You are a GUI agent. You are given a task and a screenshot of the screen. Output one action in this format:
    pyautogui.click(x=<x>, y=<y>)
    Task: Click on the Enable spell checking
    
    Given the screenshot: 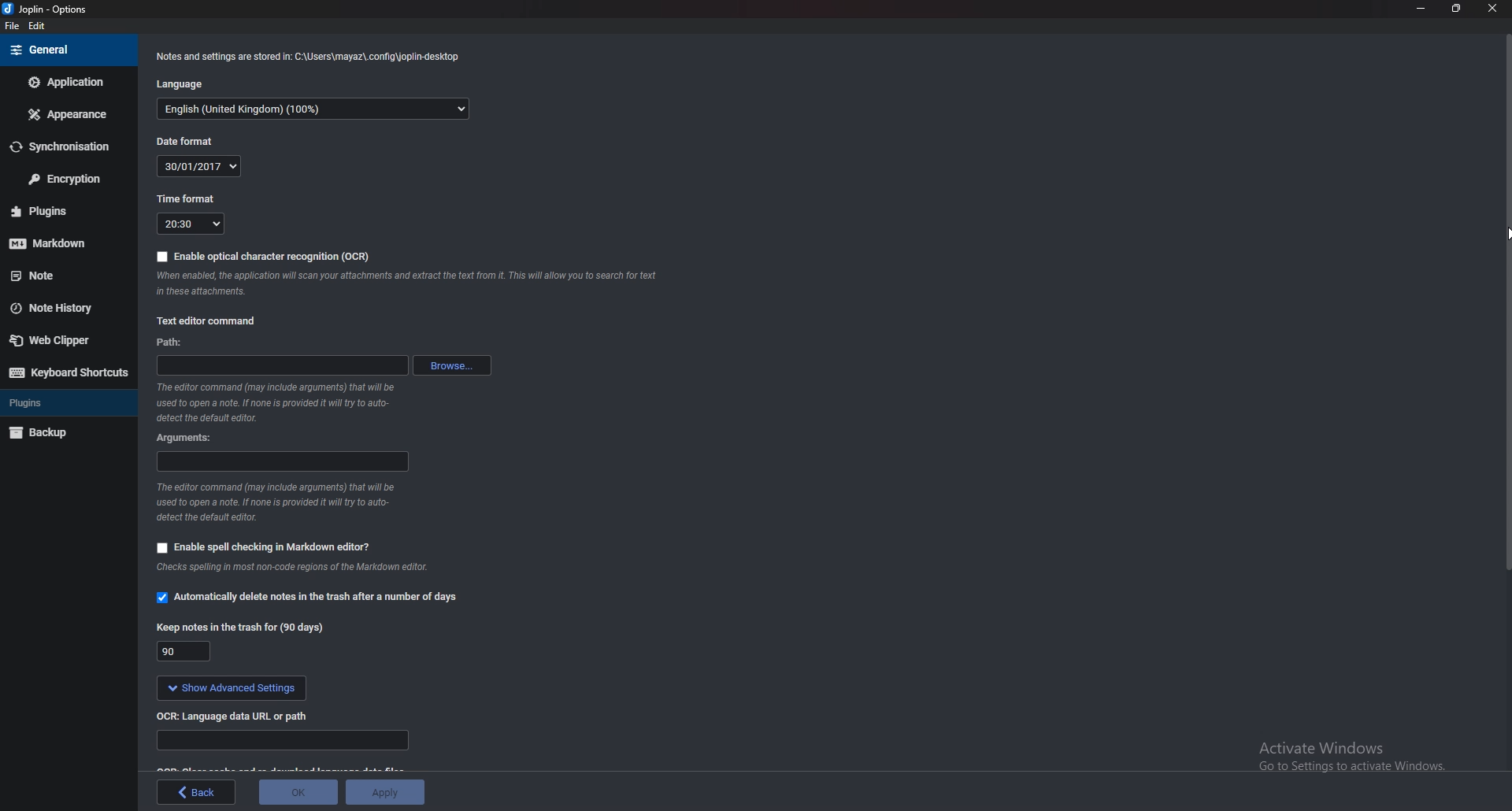 What is the action you would take?
    pyautogui.click(x=265, y=547)
    